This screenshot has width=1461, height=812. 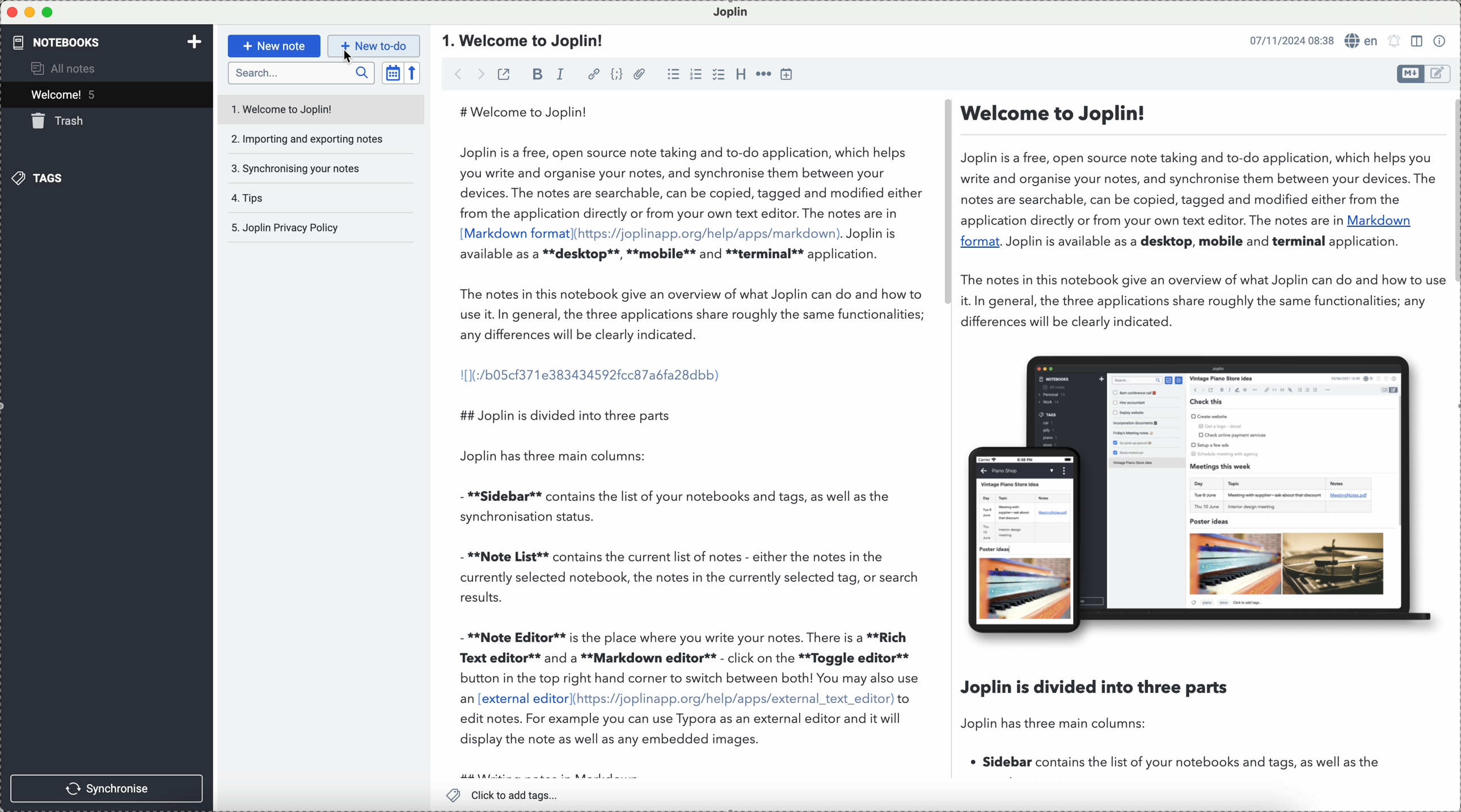 What do you see at coordinates (60, 121) in the screenshot?
I see `trash` at bounding box center [60, 121].